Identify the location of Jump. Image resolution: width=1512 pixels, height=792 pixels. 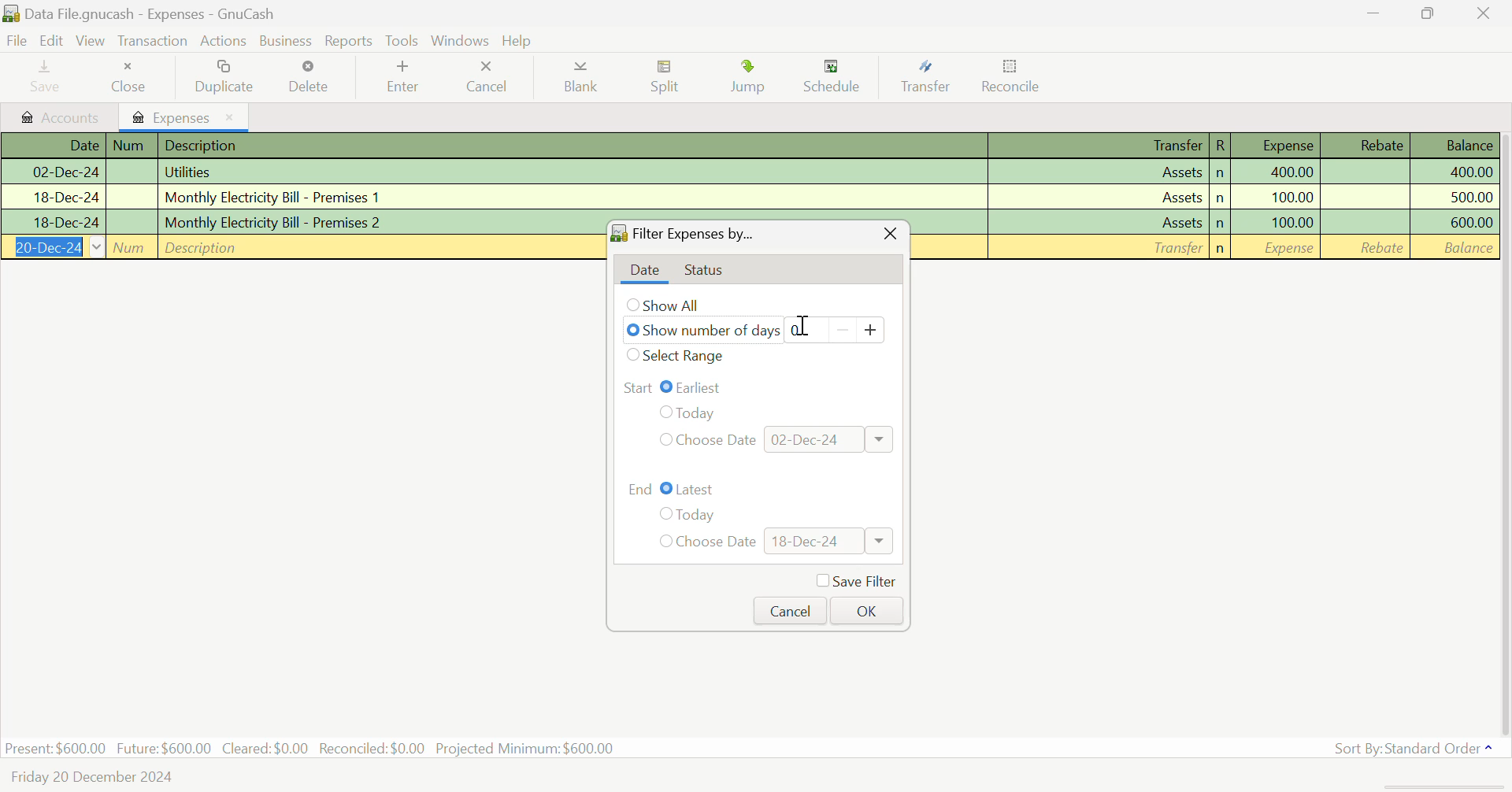
(747, 79).